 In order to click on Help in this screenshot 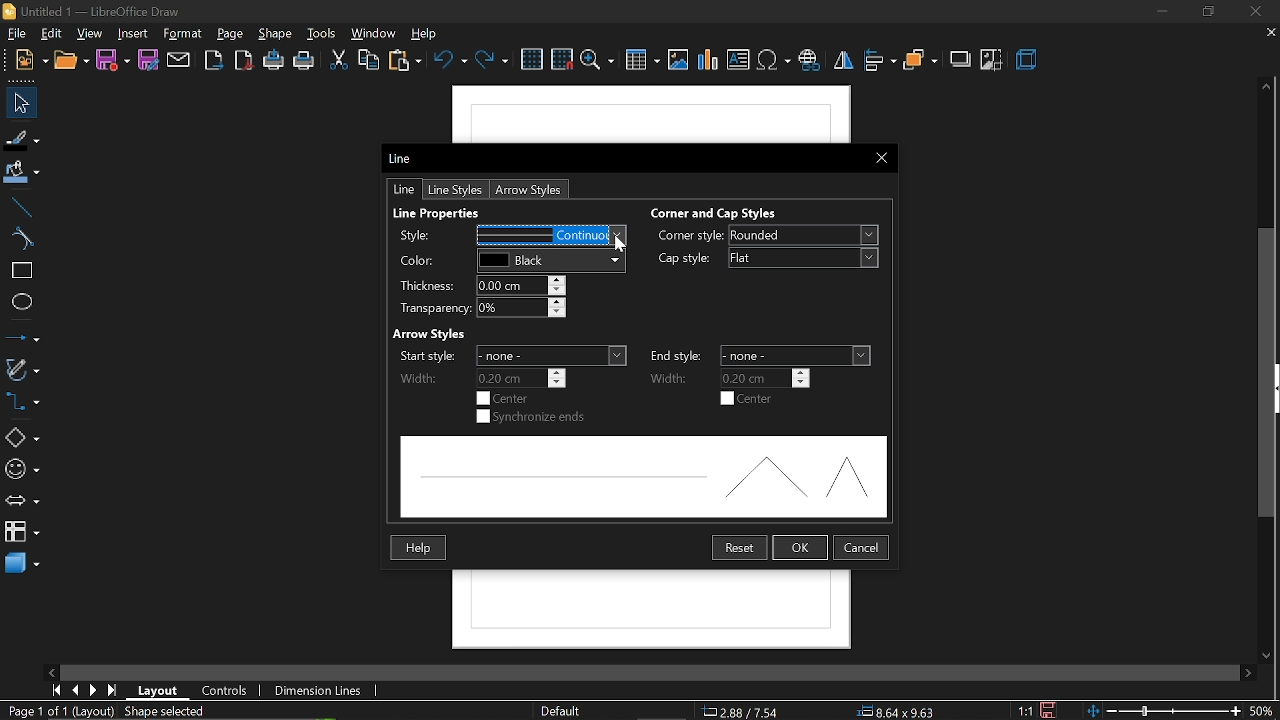, I will do `click(420, 548)`.